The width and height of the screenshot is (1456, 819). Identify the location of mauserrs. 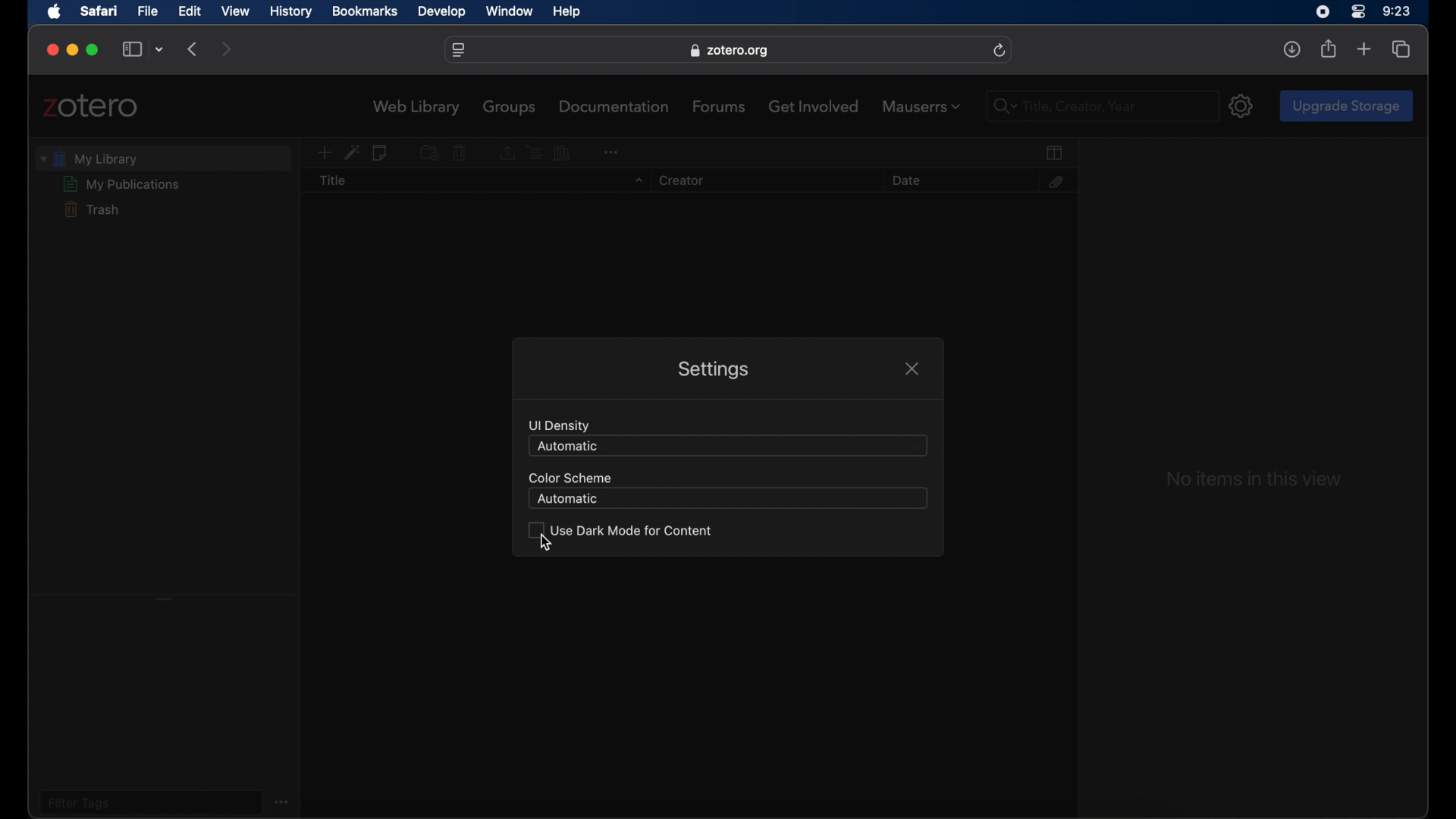
(921, 106).